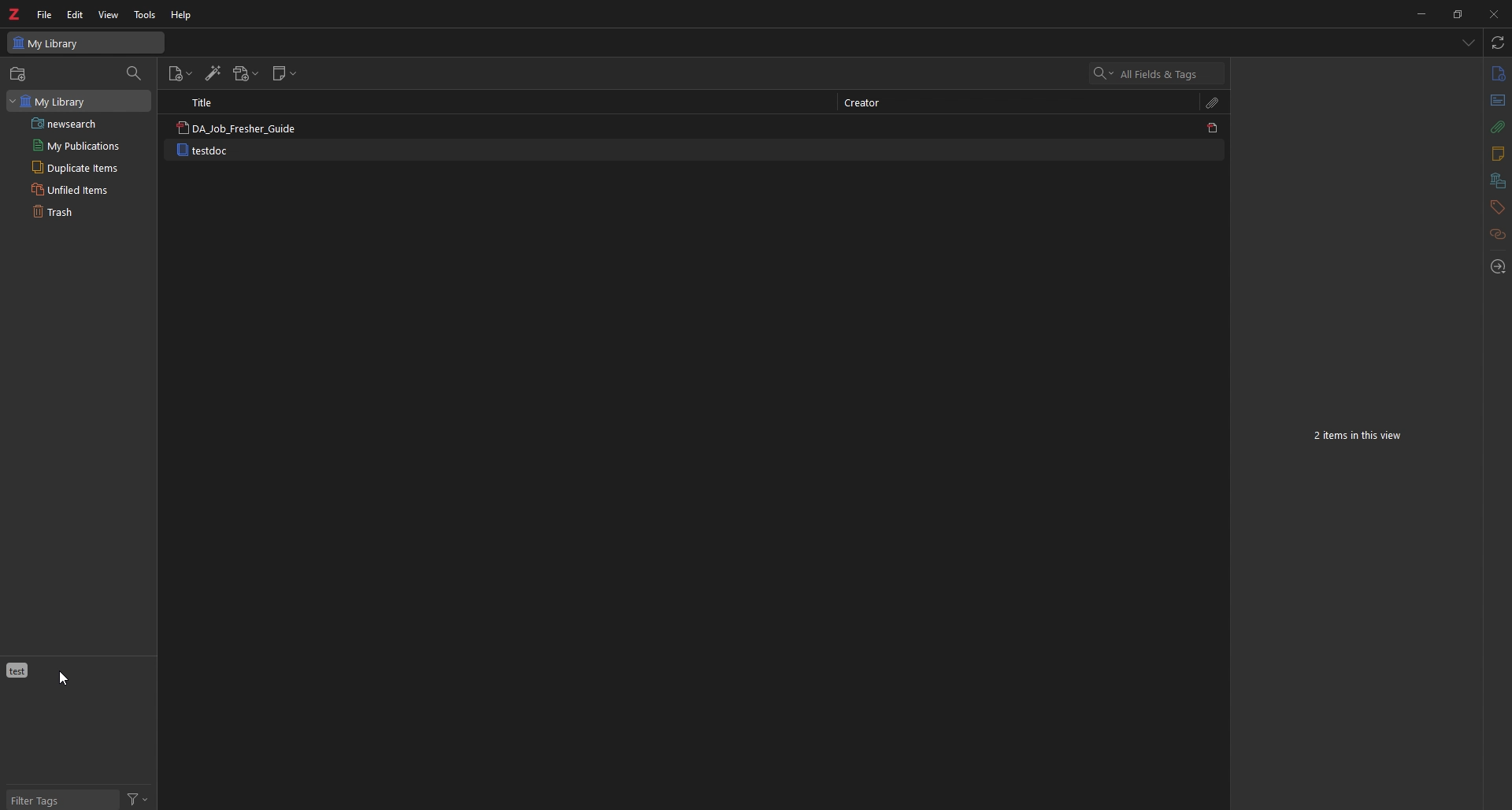 Image resolution: width=1512 pixels, height=810 pixels. Describe the element at coordinates (1213, 128) in the screenshot. I see `pdf` at that location.